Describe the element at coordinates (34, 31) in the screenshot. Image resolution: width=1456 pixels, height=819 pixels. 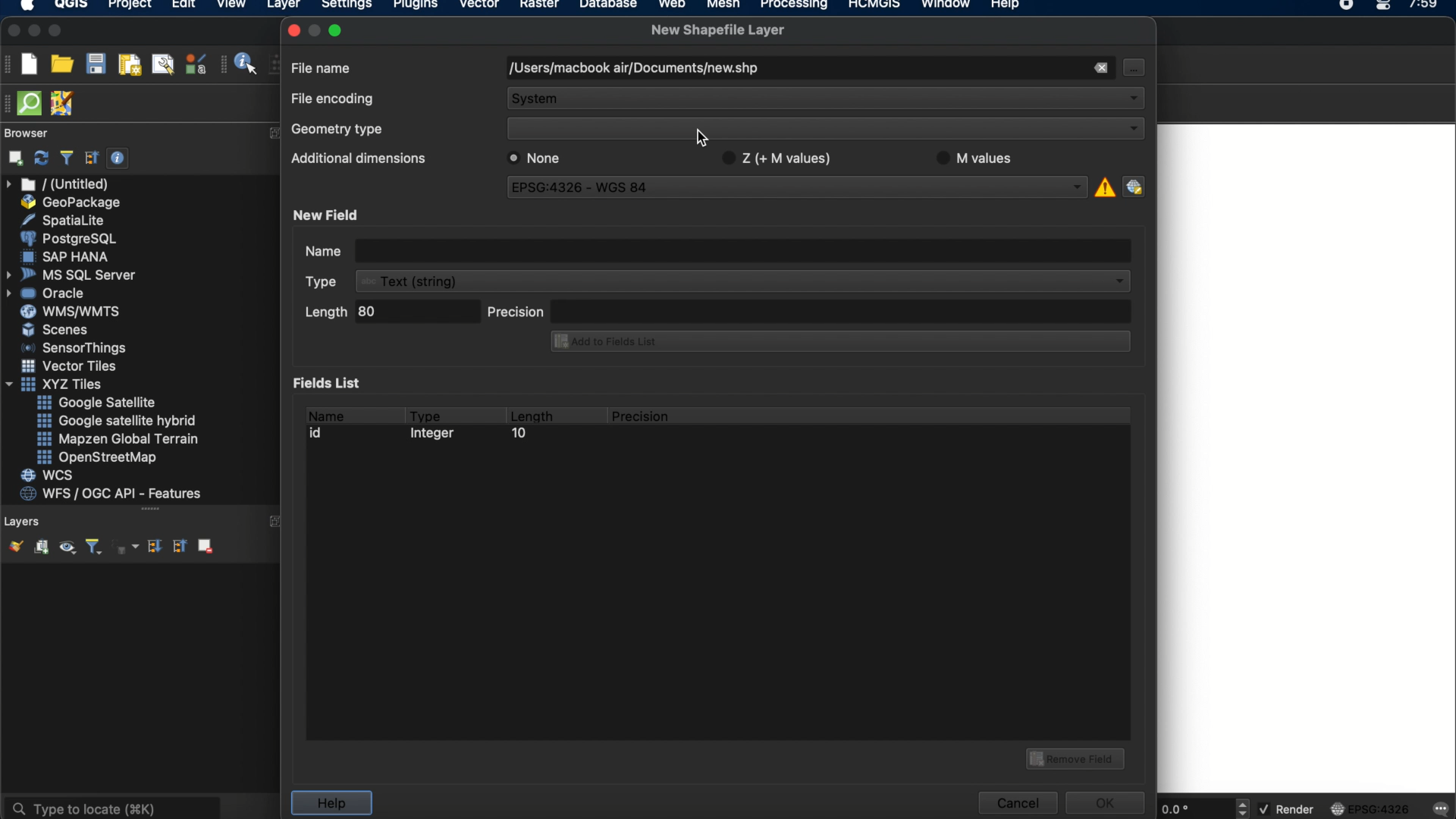
I see `minimize` at that location.